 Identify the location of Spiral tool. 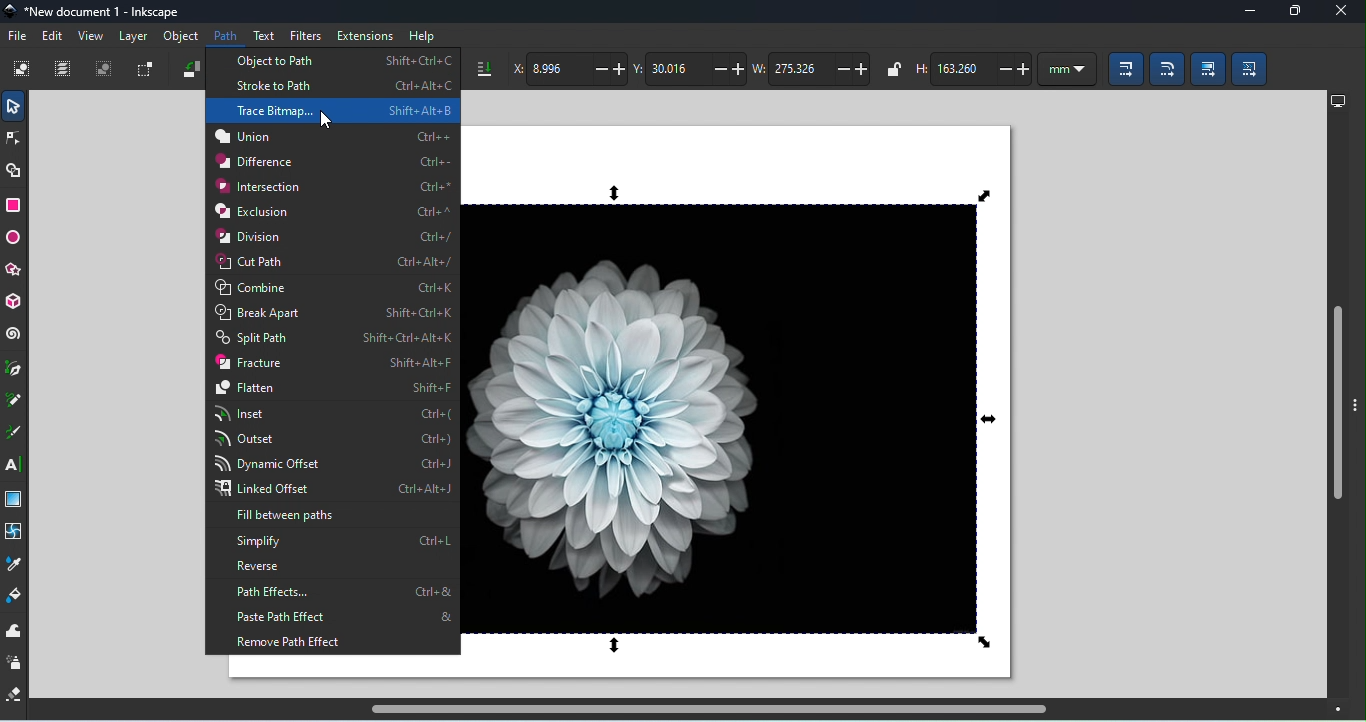
(13, 336).